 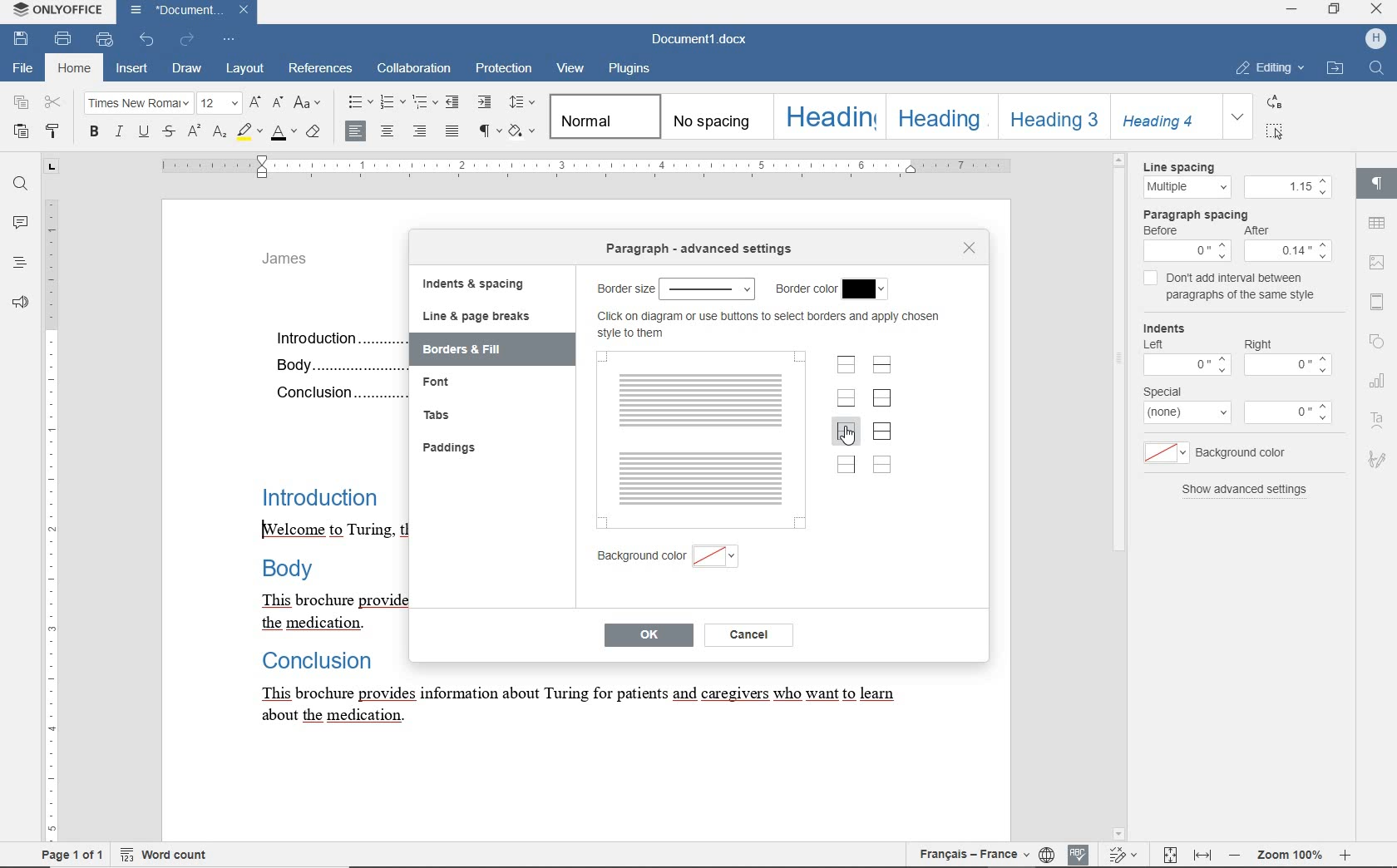 I want to click on undo, so click(x=144, y=40).